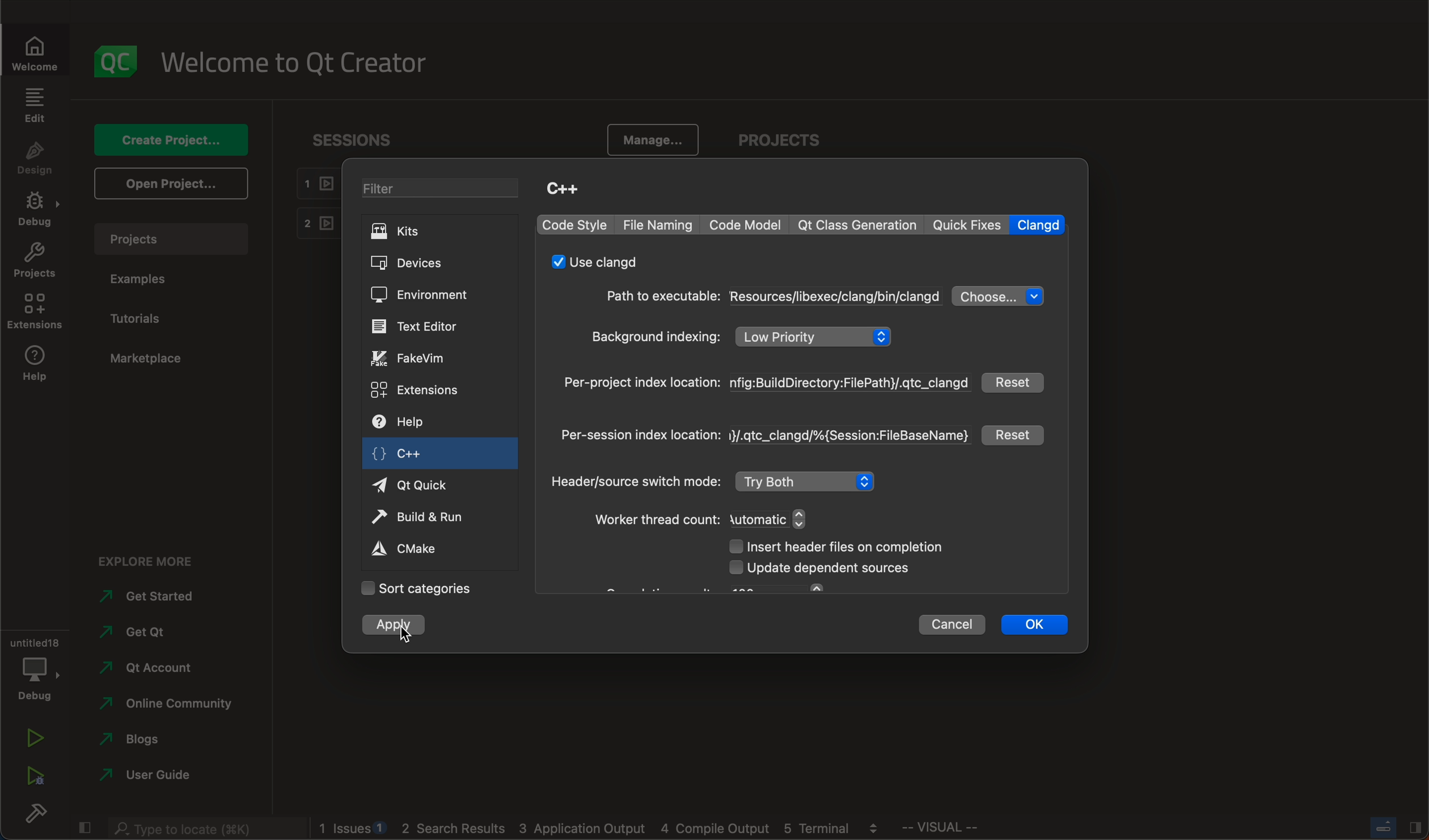  I want to click on choose, so click(999, 295).